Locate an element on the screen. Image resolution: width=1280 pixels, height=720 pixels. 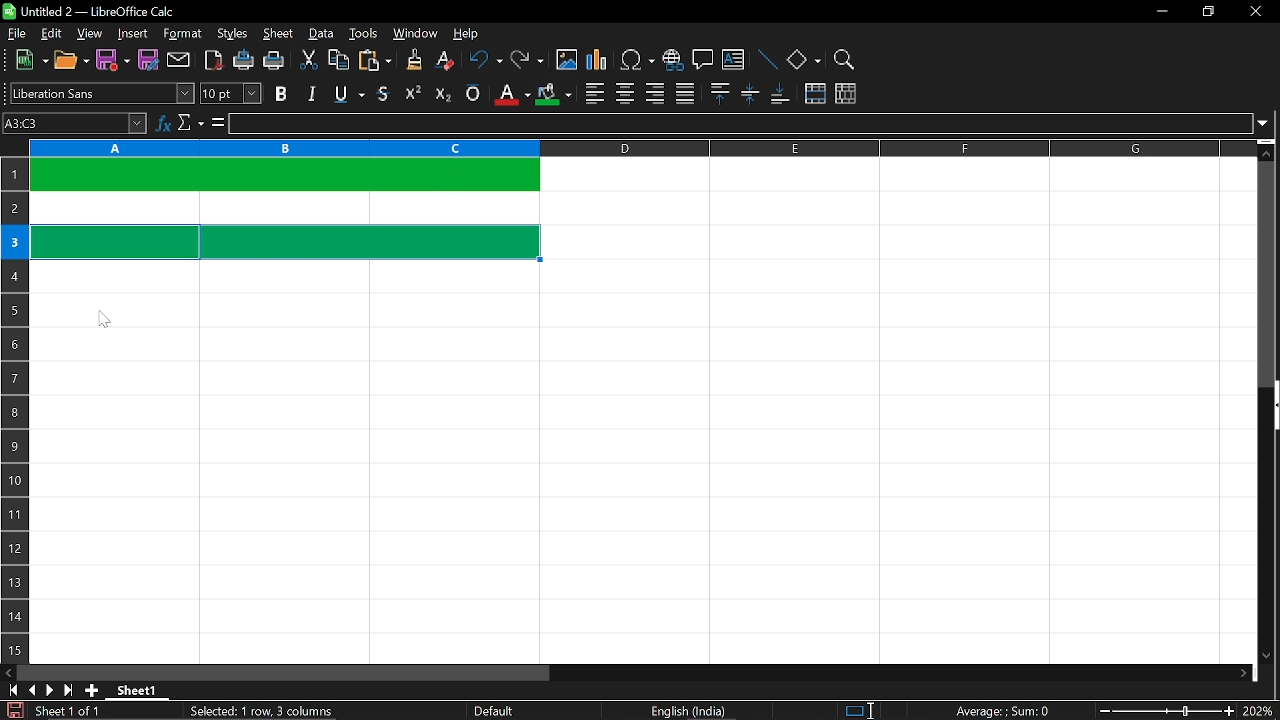
formula is located at coordinates (216, 123).